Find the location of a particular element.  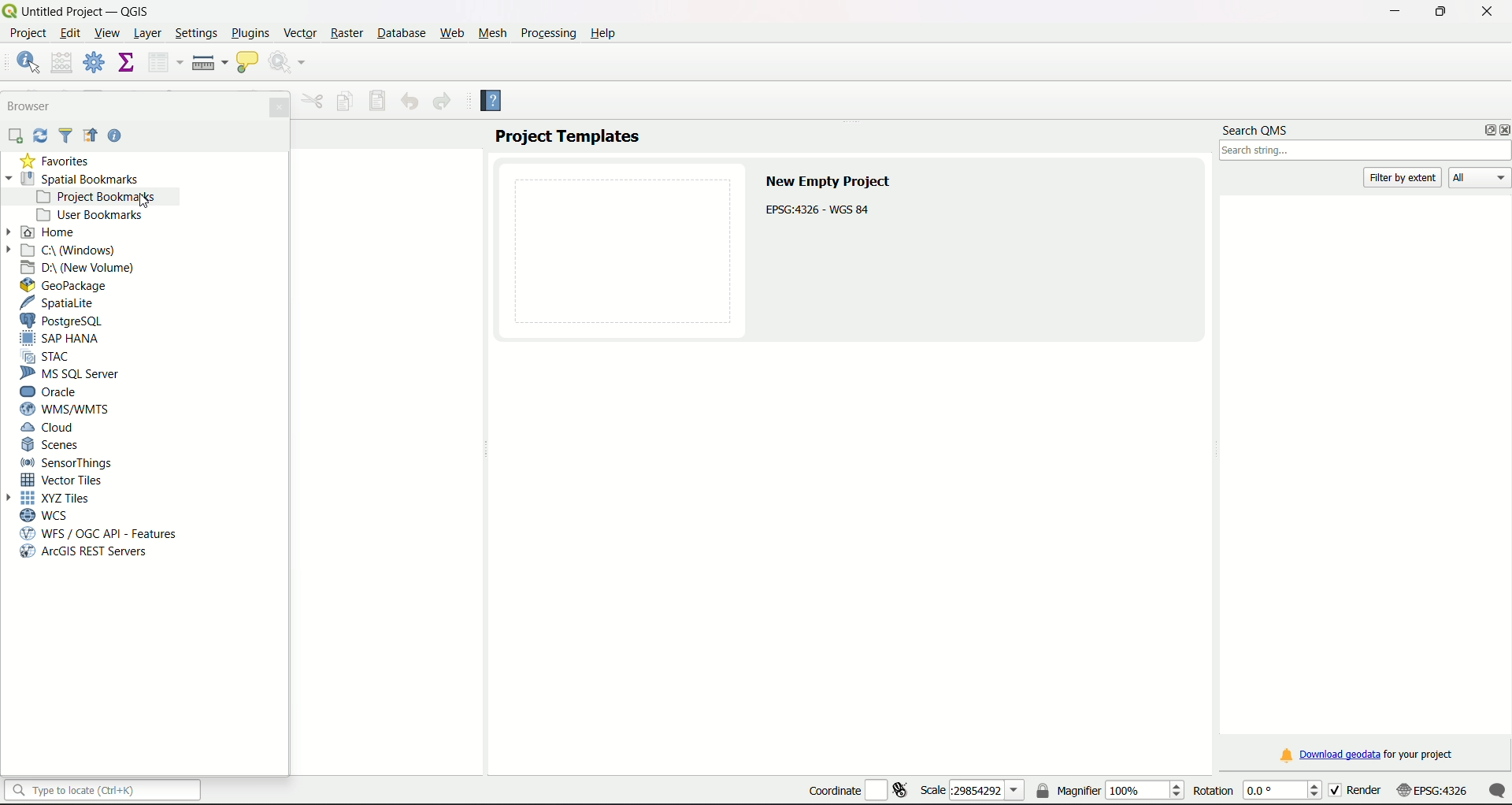

search QMS is located at coordinates (1255, 128).